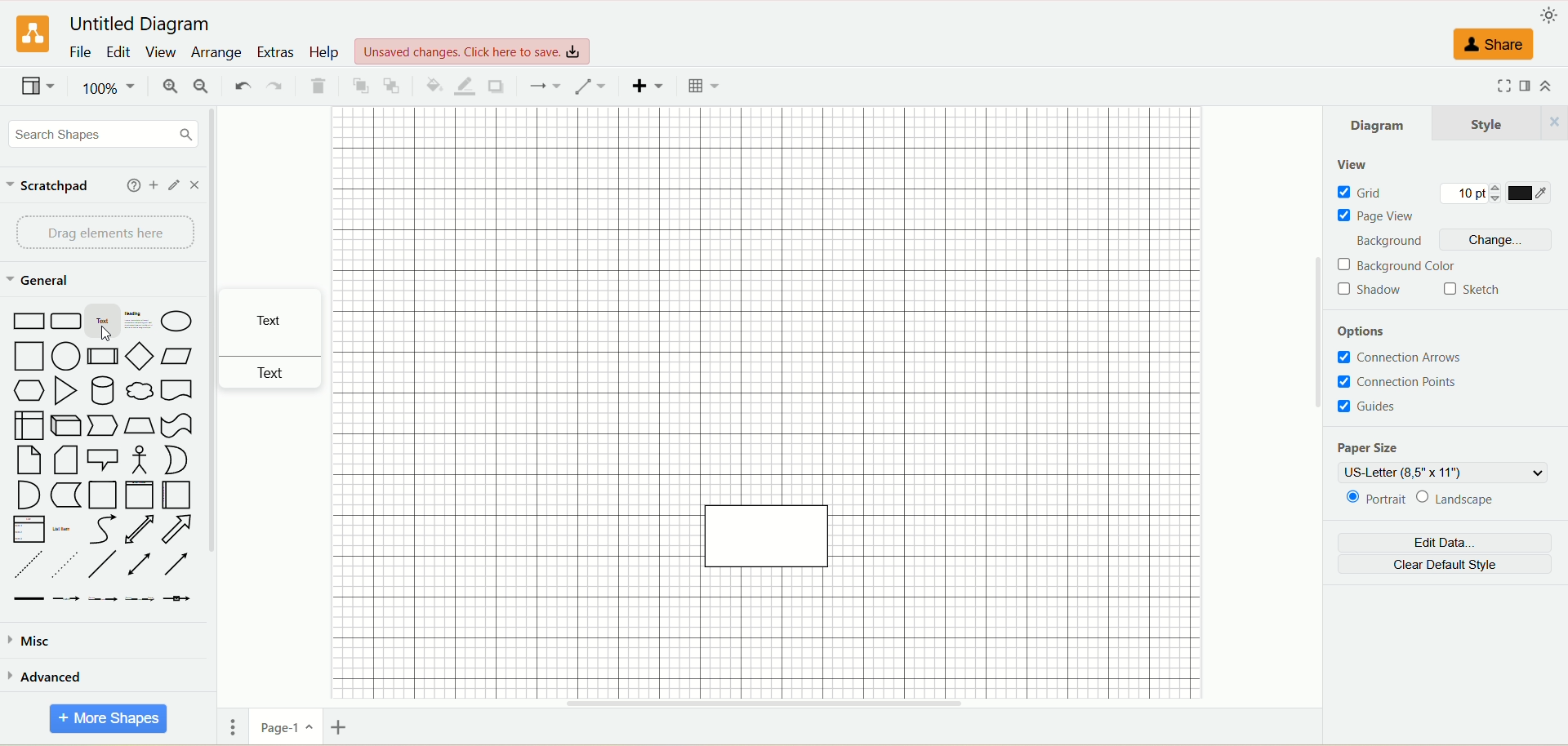 The image size is (1568, 746). What do you see at coordinates (65, 528) in the screenshot?
I see `list items` at bounding box center [65, 528].